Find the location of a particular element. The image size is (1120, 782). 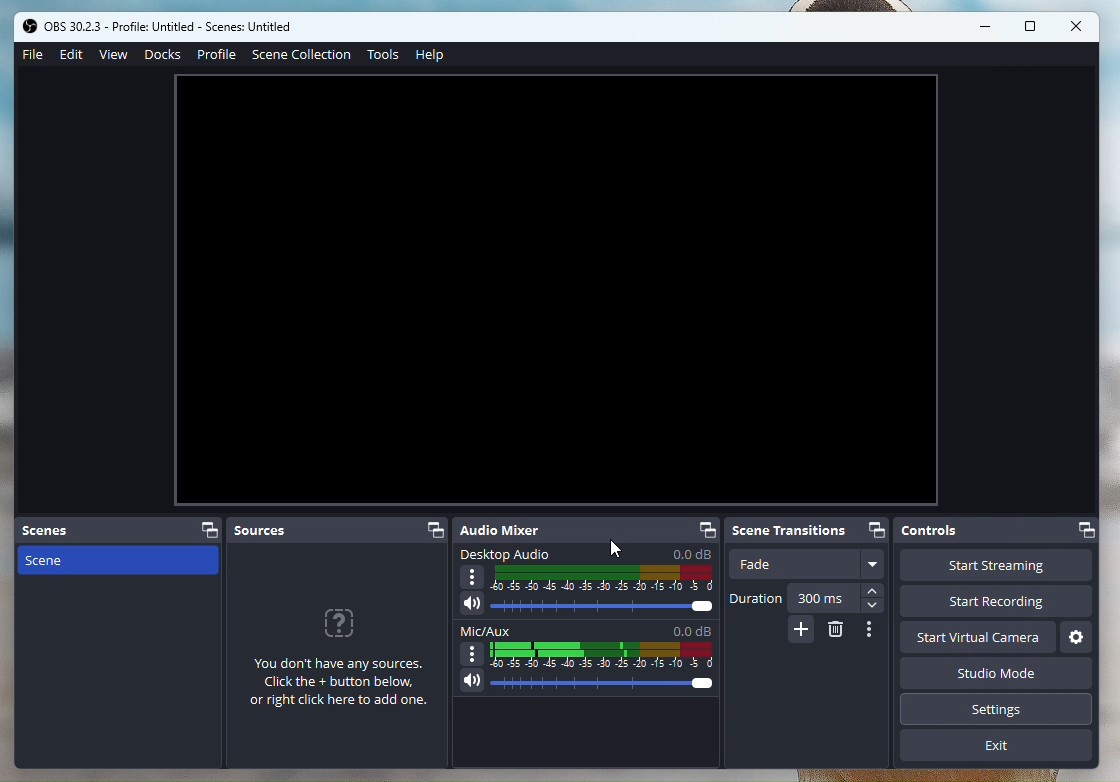

File is located at coordinates (34, 57).